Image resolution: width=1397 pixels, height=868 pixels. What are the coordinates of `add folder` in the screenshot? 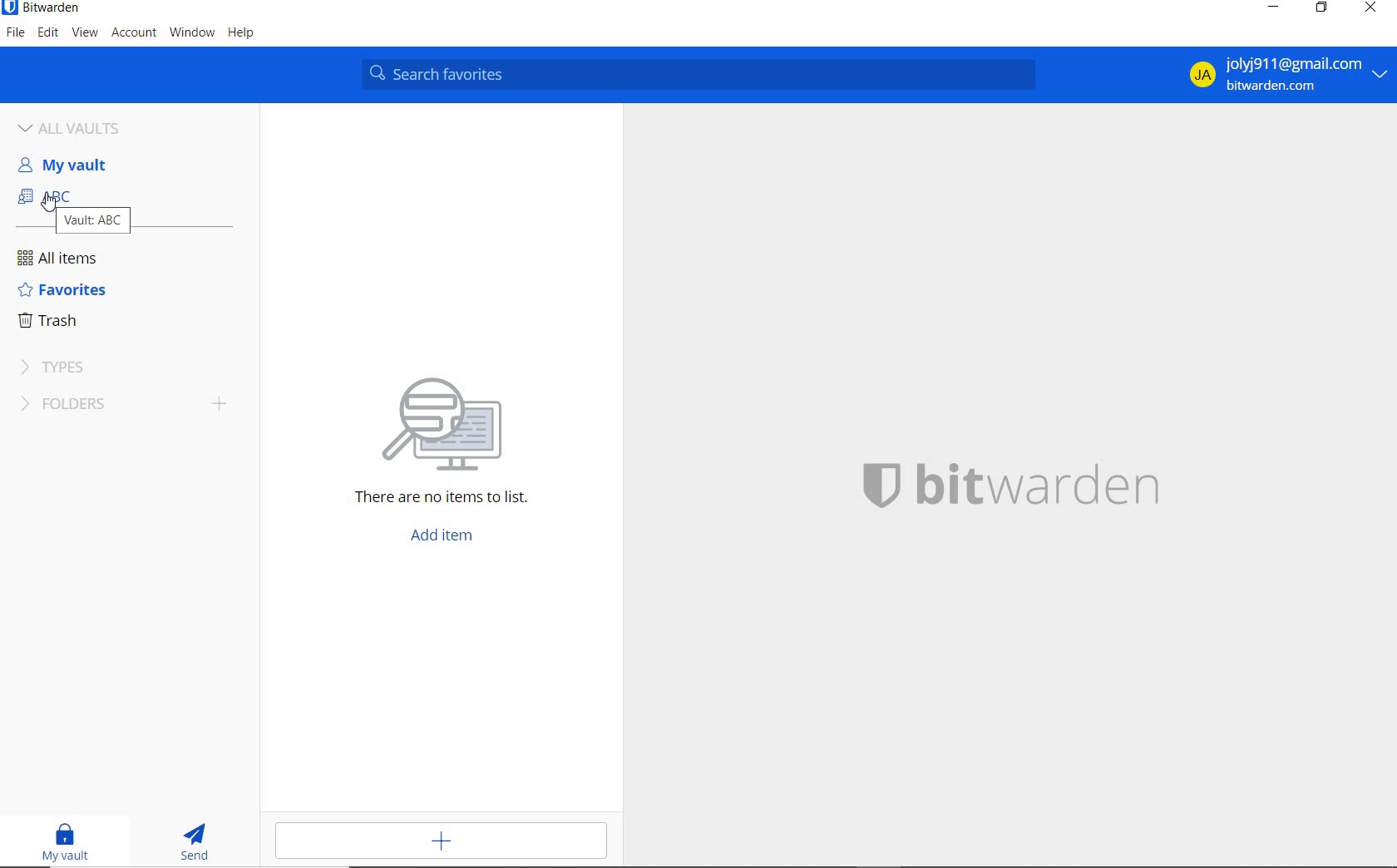 It's located at (225, 406).